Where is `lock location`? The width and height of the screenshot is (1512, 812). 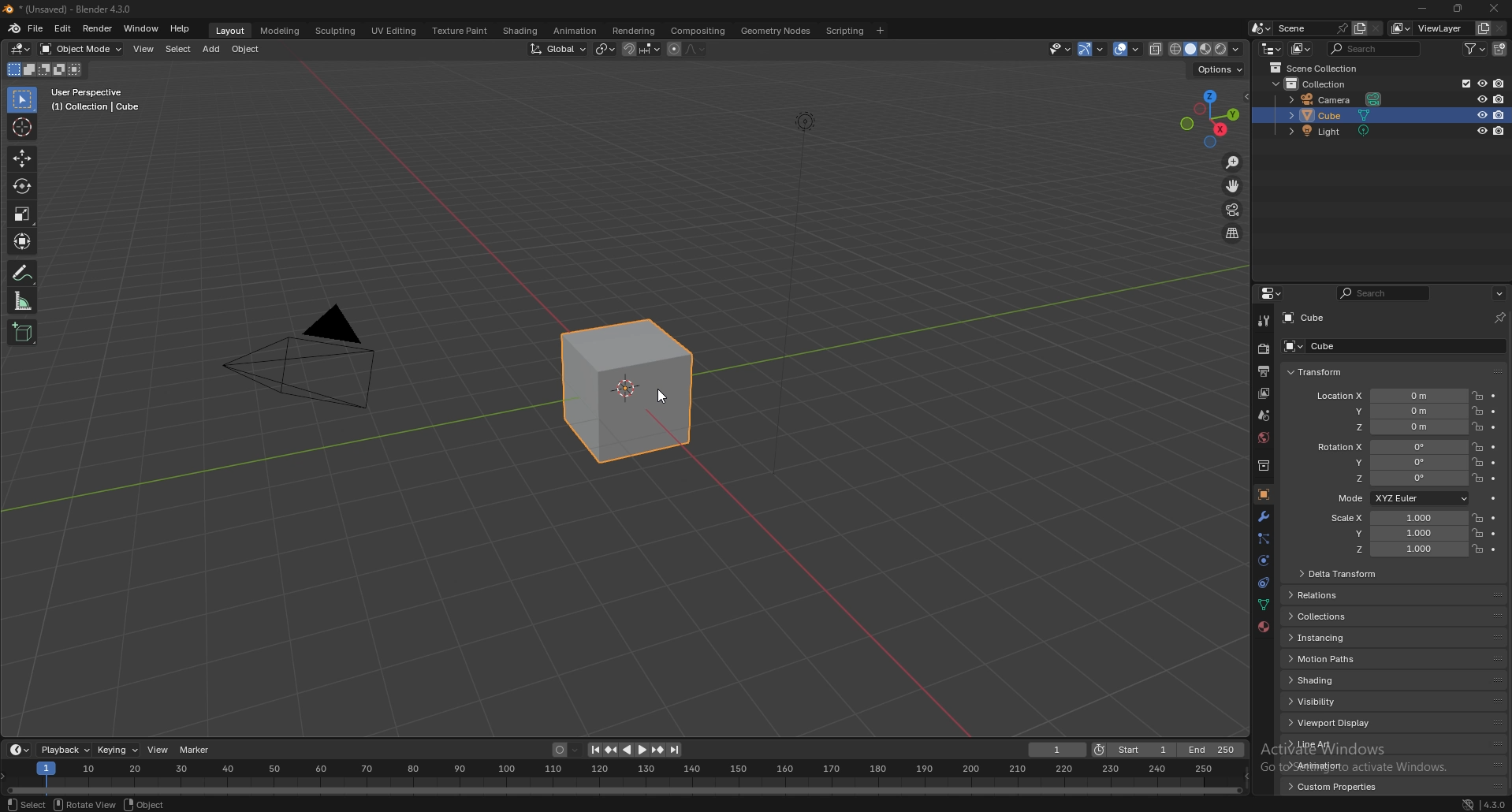 lock location is located at coordinates (1478, 410).